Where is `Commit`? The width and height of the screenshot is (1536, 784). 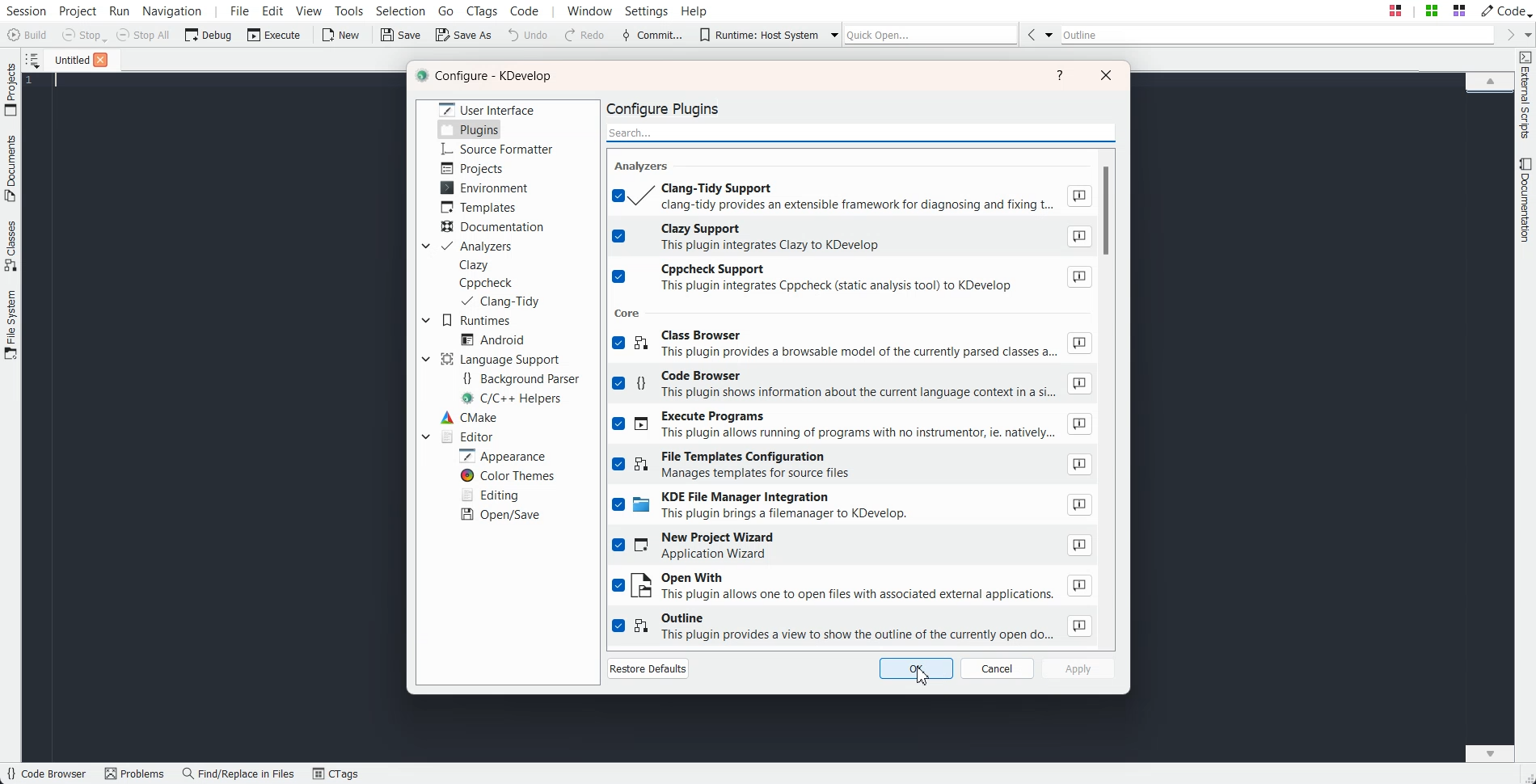
Commit is located at coordinates (652, 36).